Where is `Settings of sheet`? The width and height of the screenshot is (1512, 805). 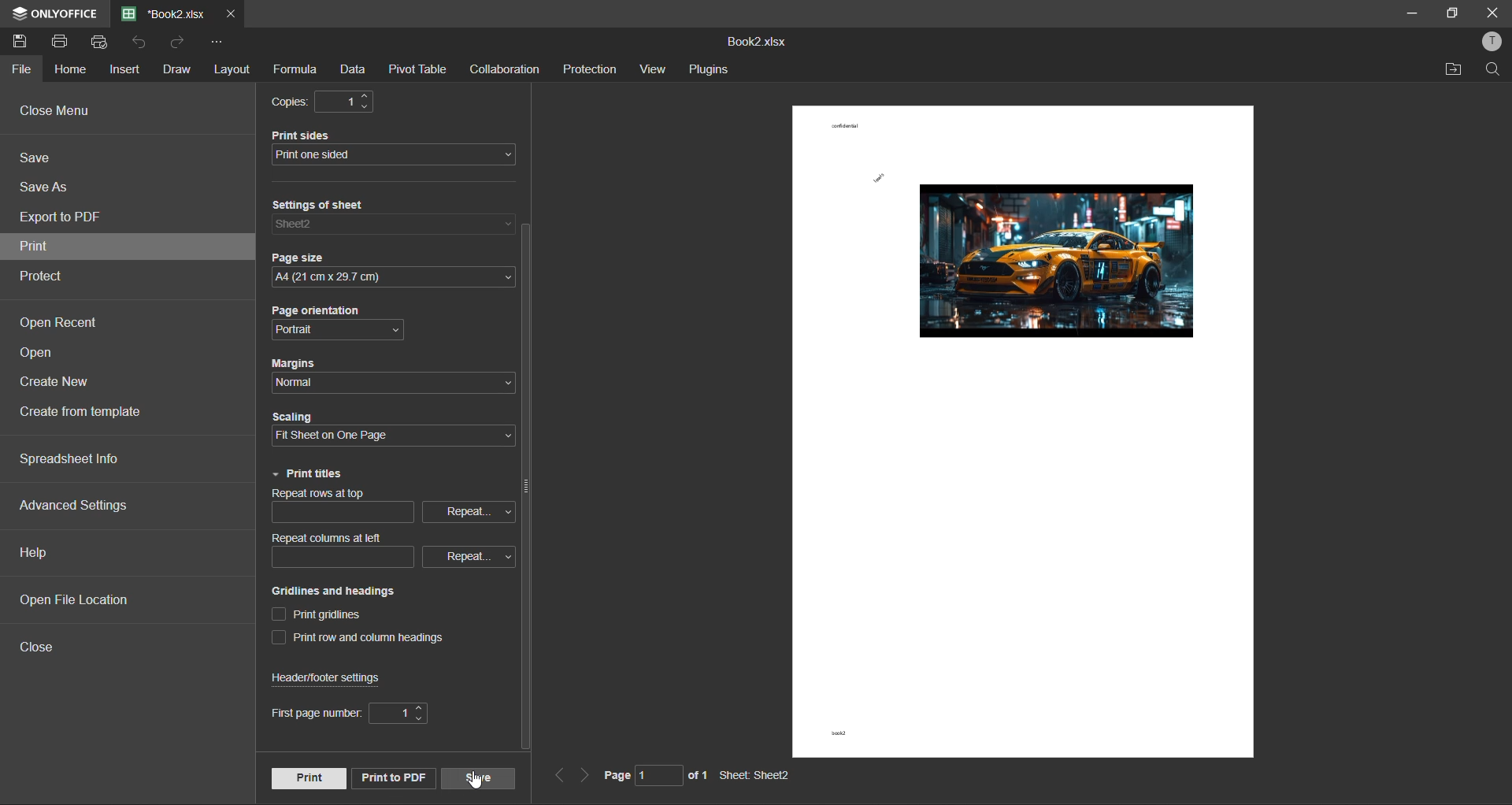
Settings of sheet is located at coordinates (323, 203).